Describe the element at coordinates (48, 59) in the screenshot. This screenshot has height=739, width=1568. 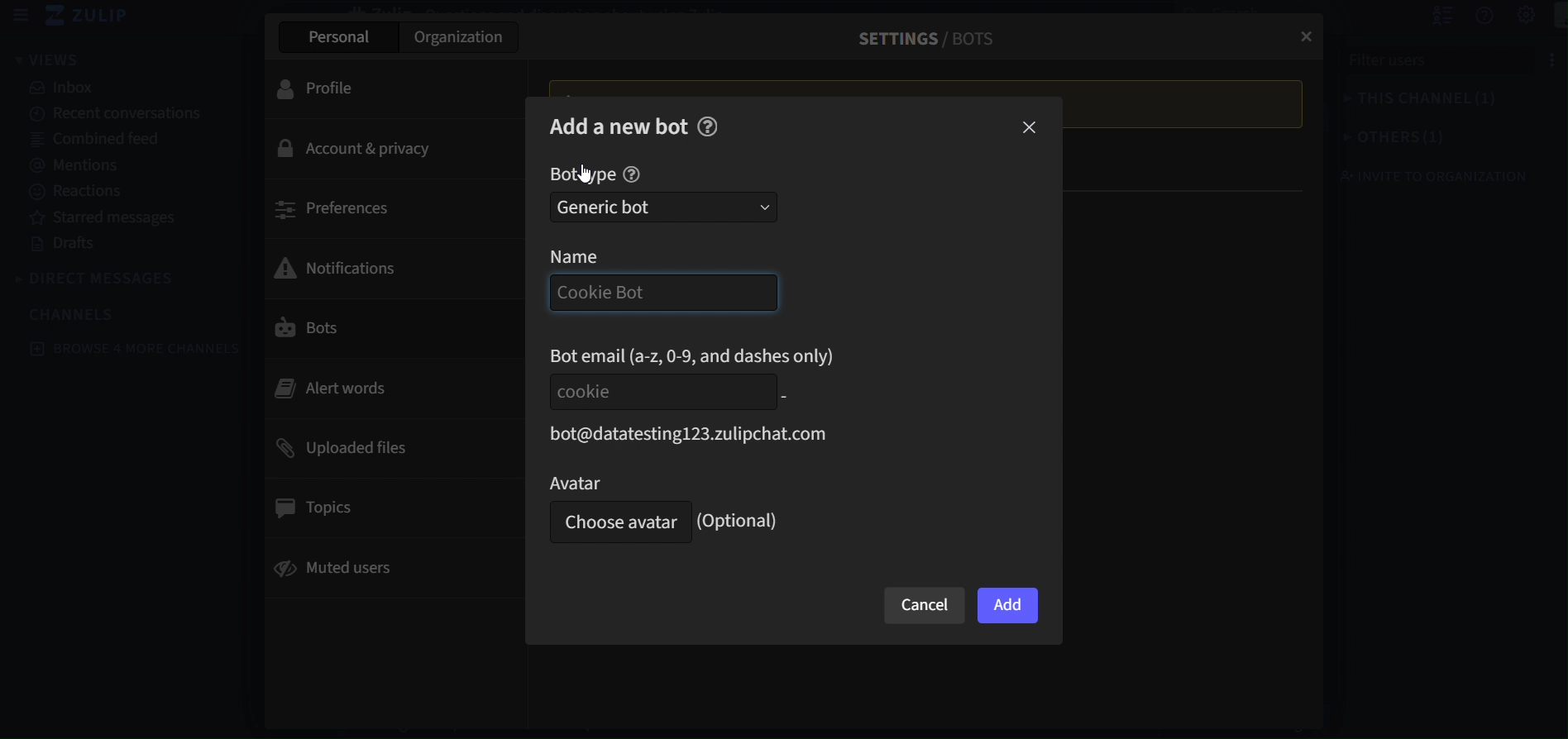
I see `view` at that location.